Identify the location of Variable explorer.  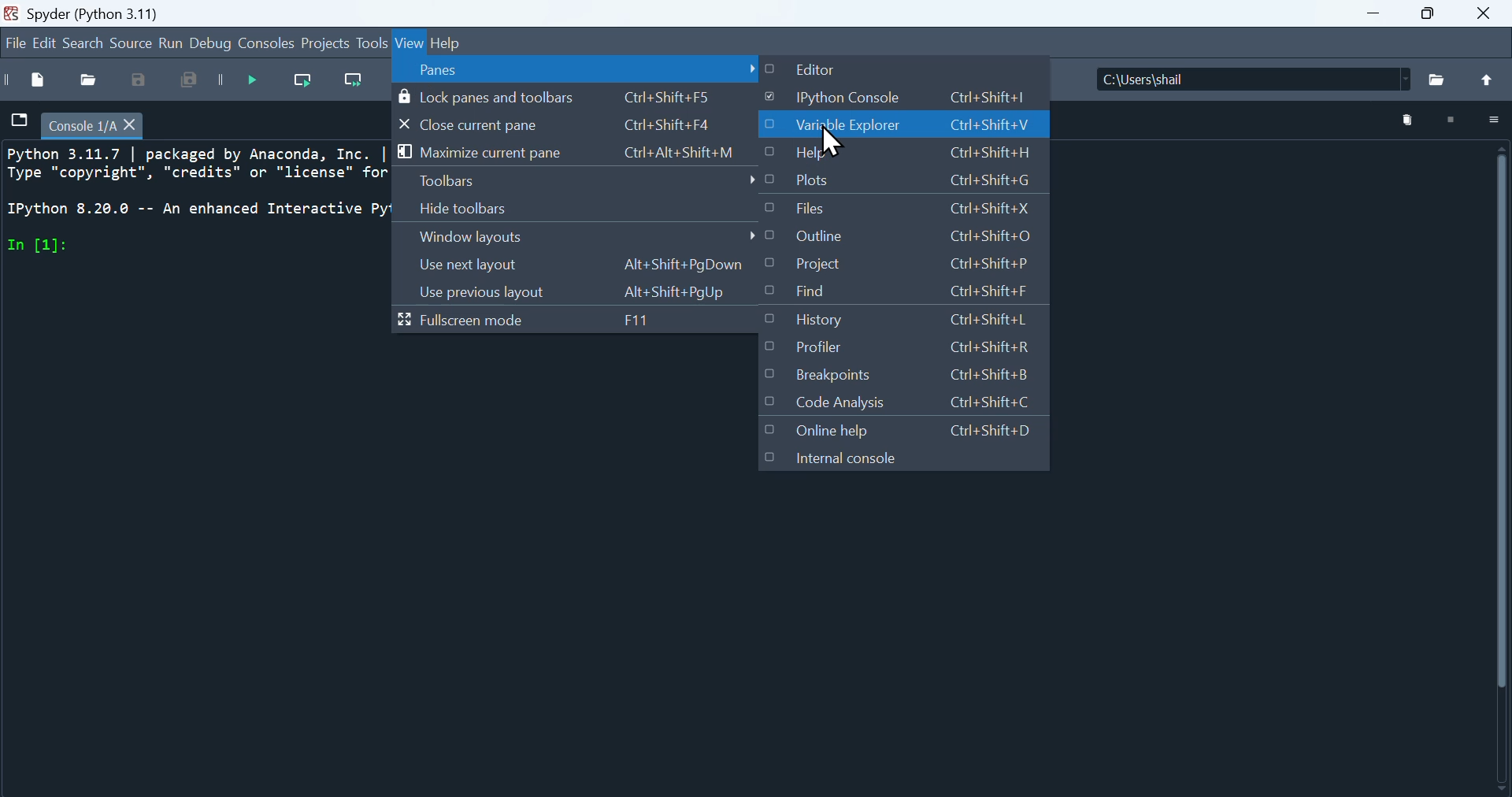
(897, 124).